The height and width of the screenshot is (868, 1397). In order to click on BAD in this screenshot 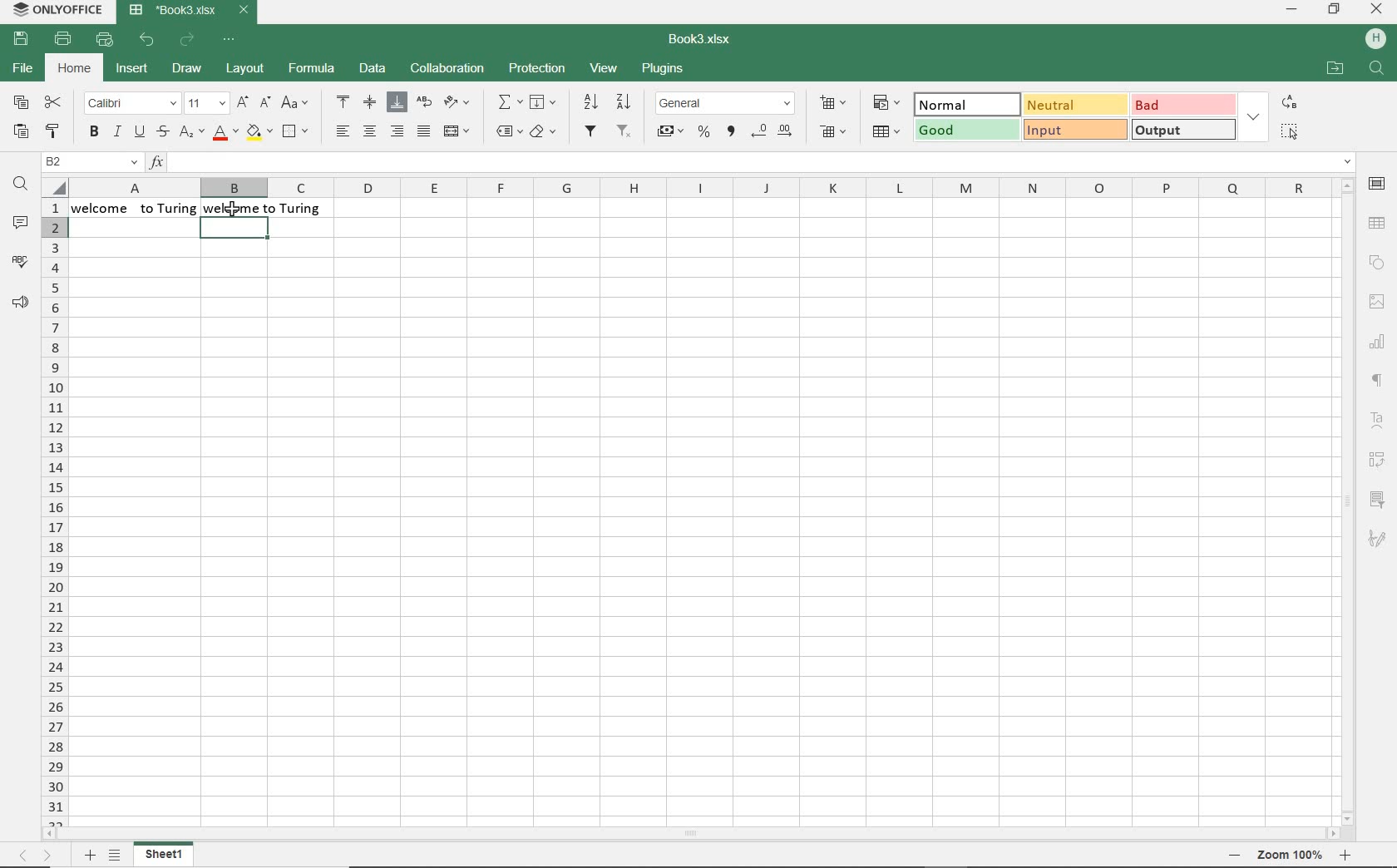, I will do `click(1180, 105)`.